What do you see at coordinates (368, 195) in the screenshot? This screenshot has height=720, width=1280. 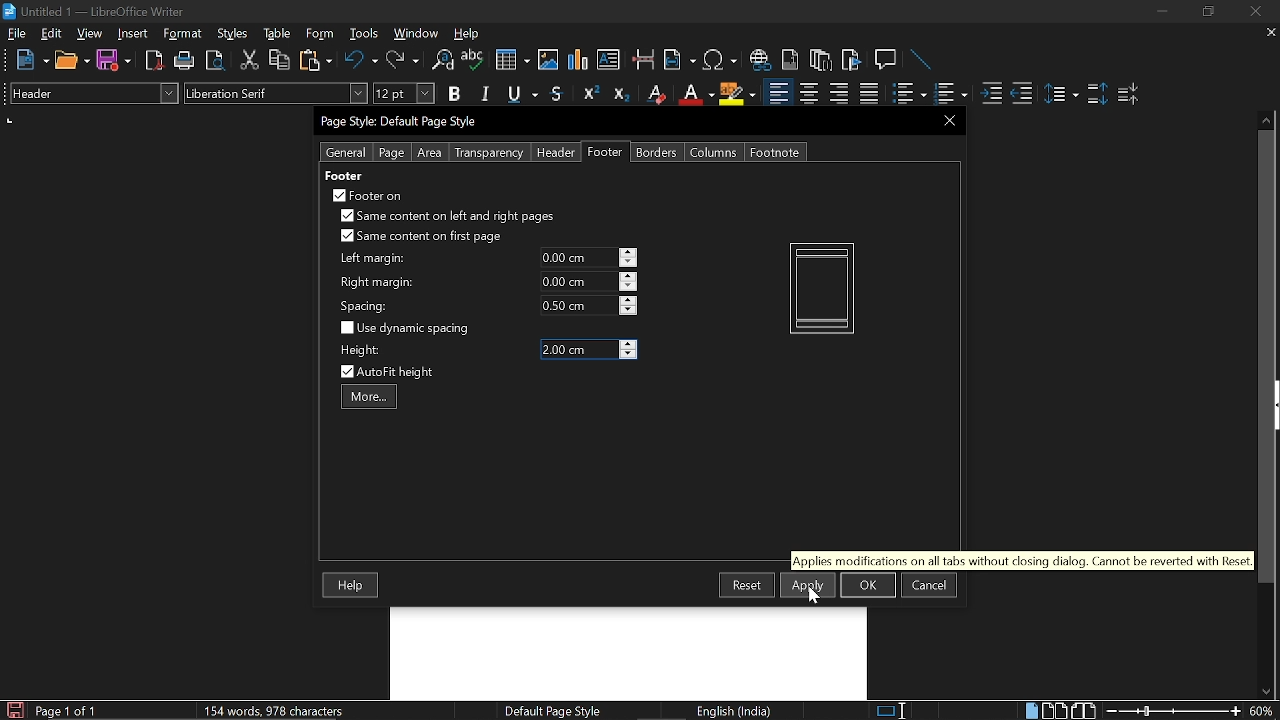 I see `Footer on` at bounding box center [368, 195].